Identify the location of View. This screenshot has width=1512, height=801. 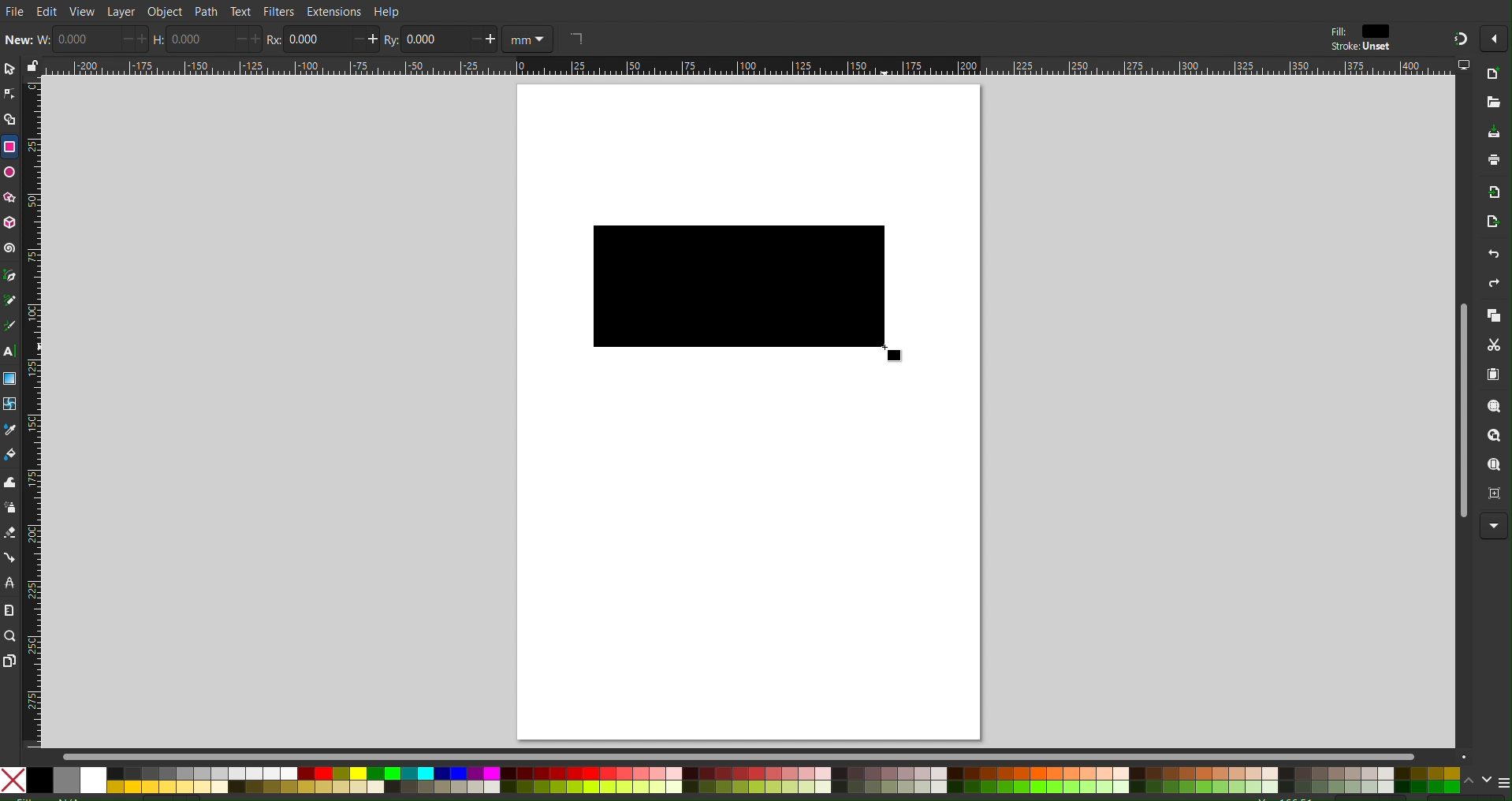
(84, 12).